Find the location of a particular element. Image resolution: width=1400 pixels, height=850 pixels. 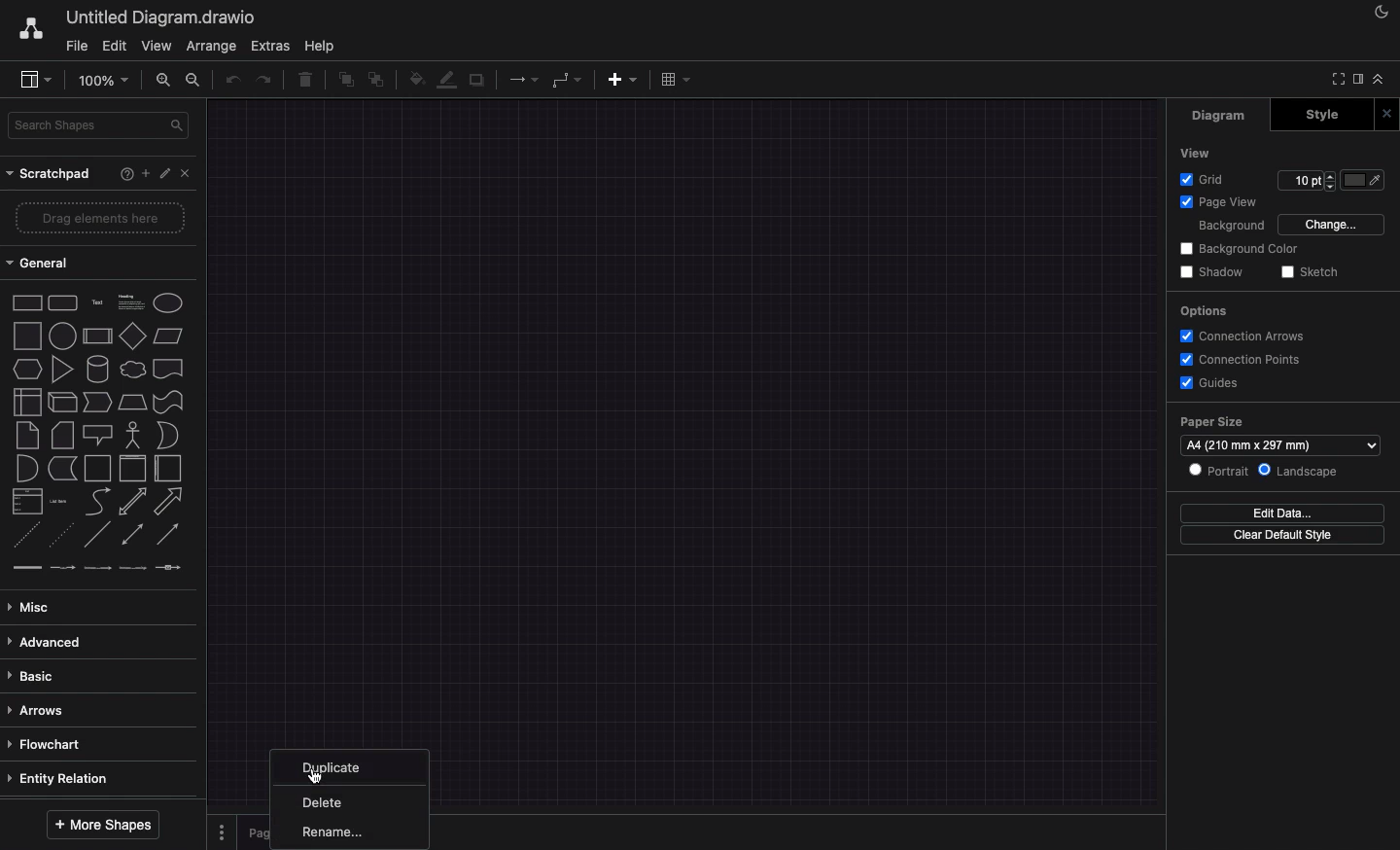

parallelogram is located at coordinates (168, 336).